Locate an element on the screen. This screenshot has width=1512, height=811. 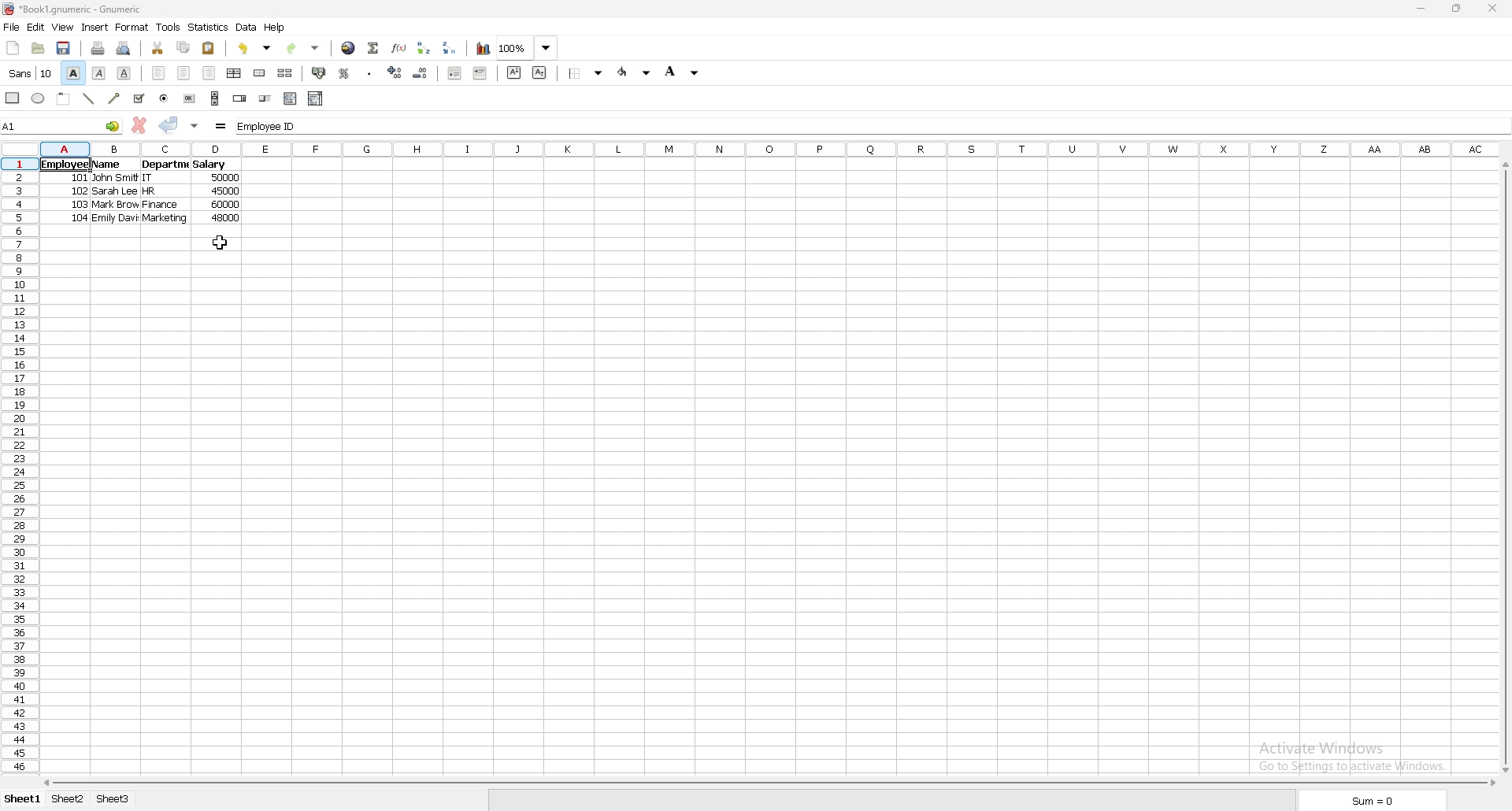
frame is located at coordinates (64, 98).